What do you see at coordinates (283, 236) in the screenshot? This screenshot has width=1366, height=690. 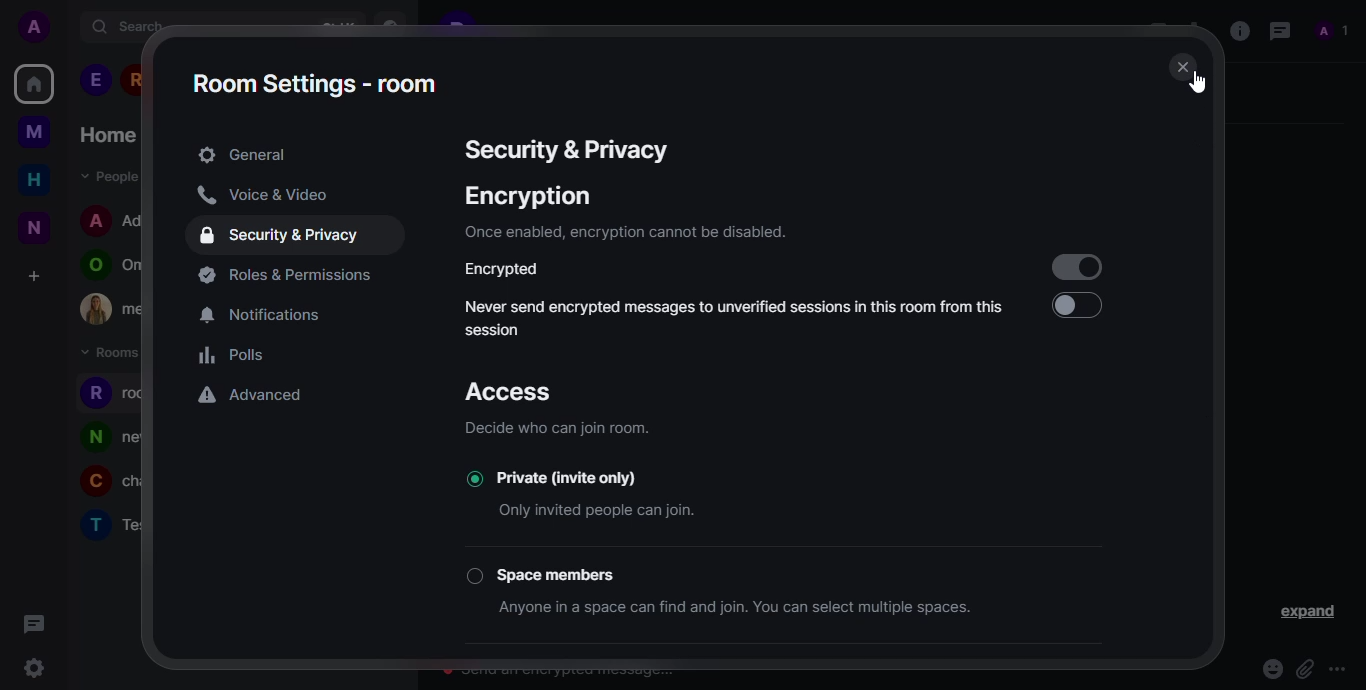 I see `security` at bounding box center [283, 236].